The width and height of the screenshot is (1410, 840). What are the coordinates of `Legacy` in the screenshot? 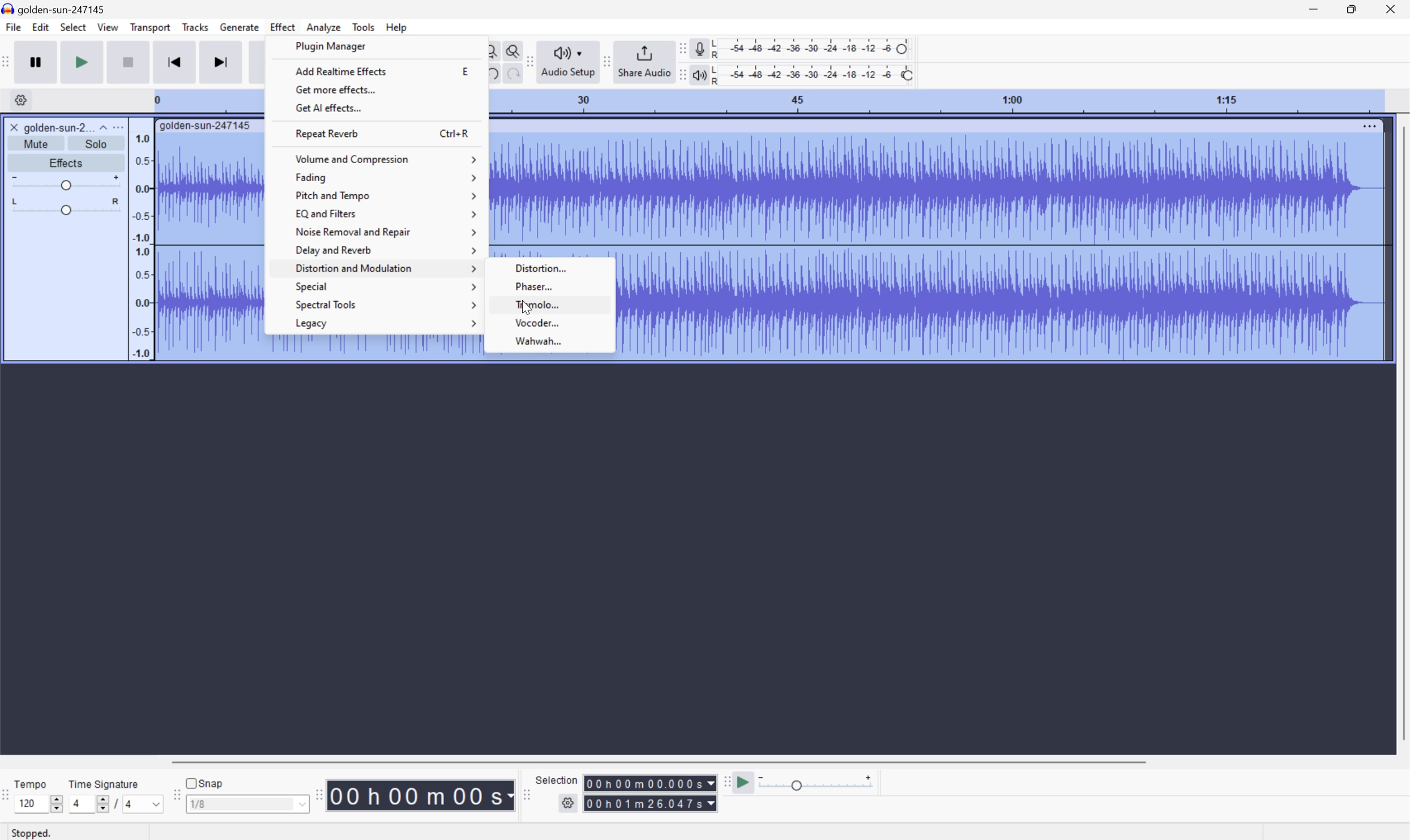 It's located at (386, 323).